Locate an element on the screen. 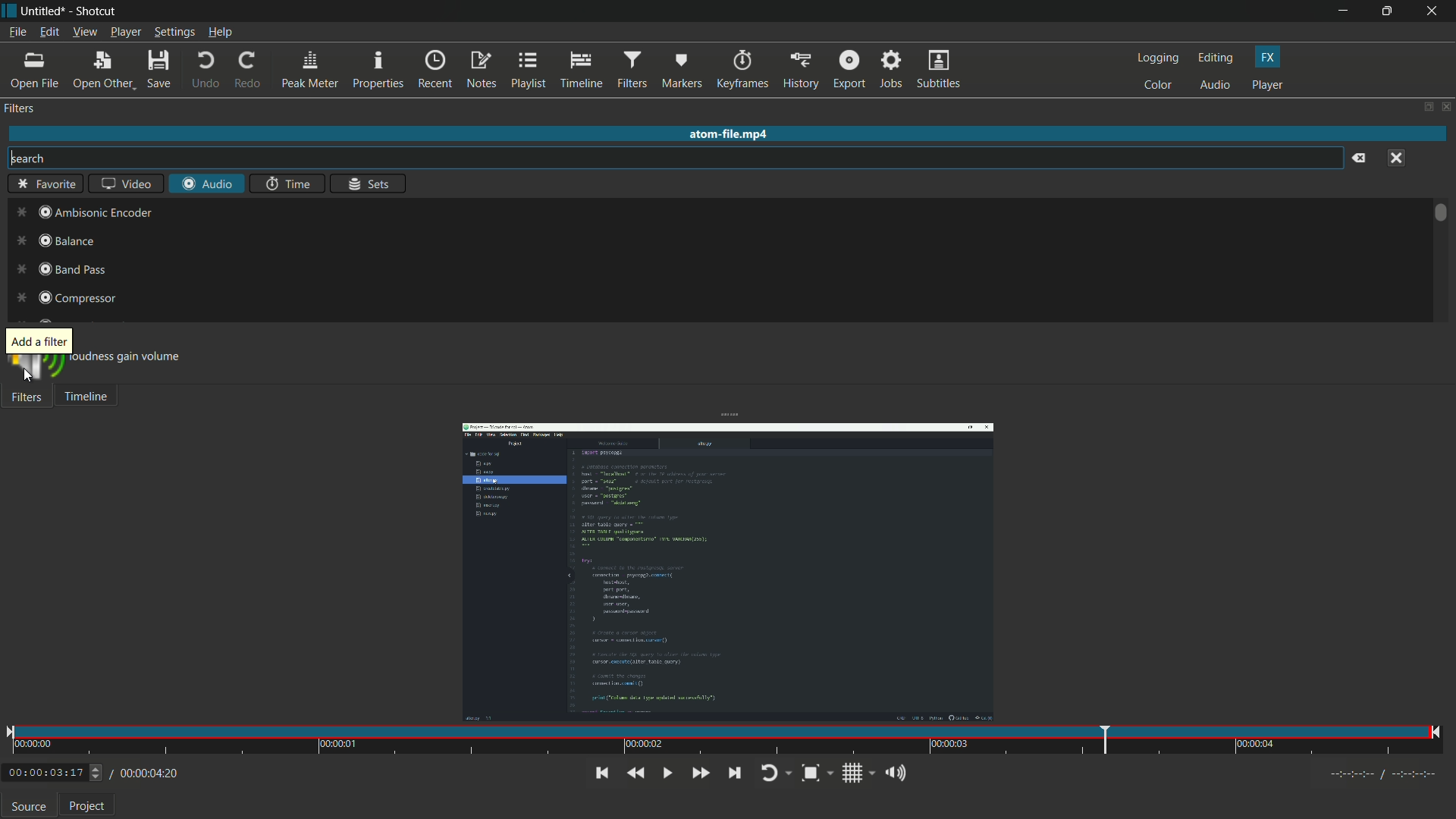  show volume control is located at coordinates (900, 775).